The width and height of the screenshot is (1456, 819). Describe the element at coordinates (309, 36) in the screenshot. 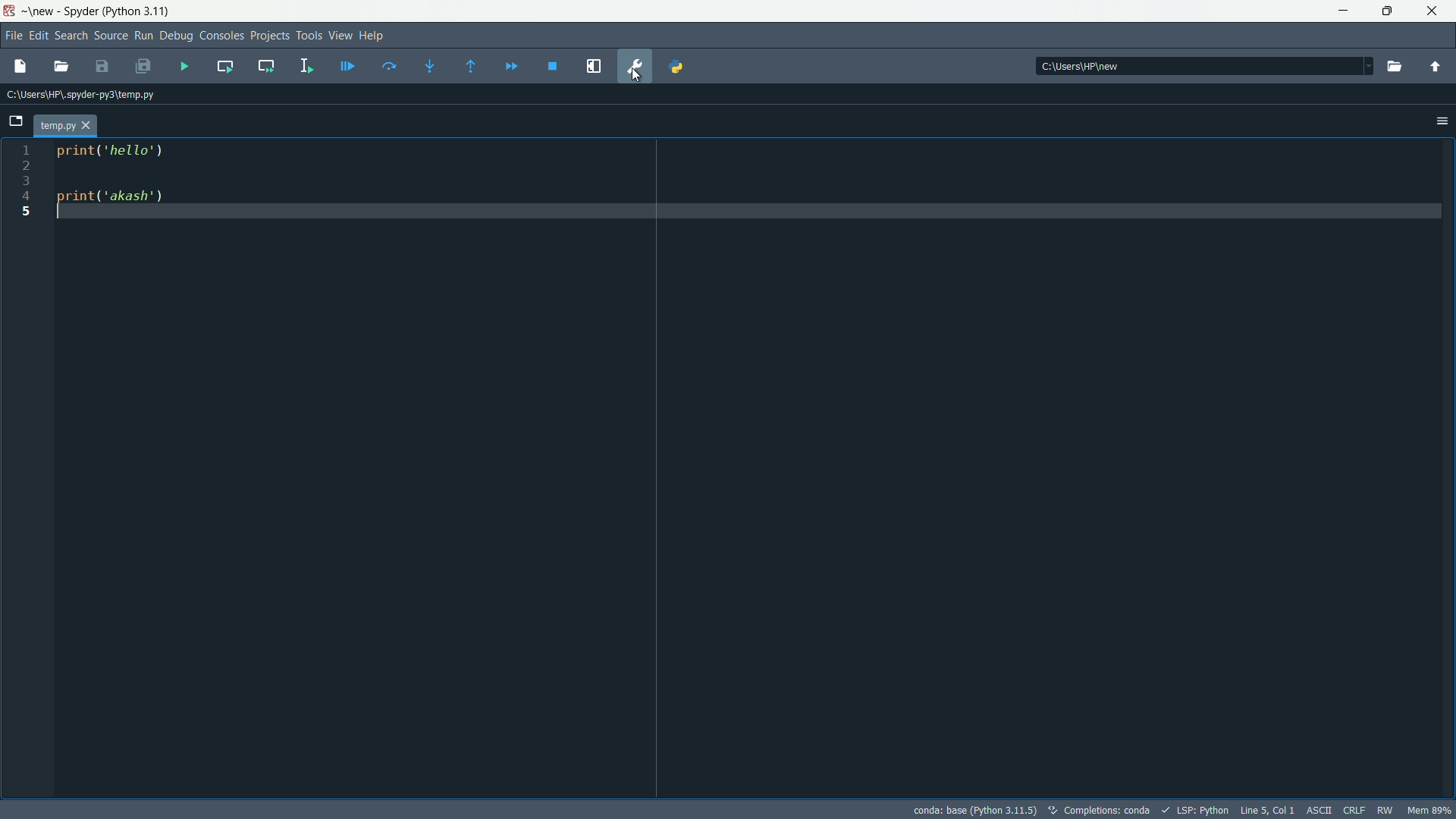

I see `tools menu` at that location.